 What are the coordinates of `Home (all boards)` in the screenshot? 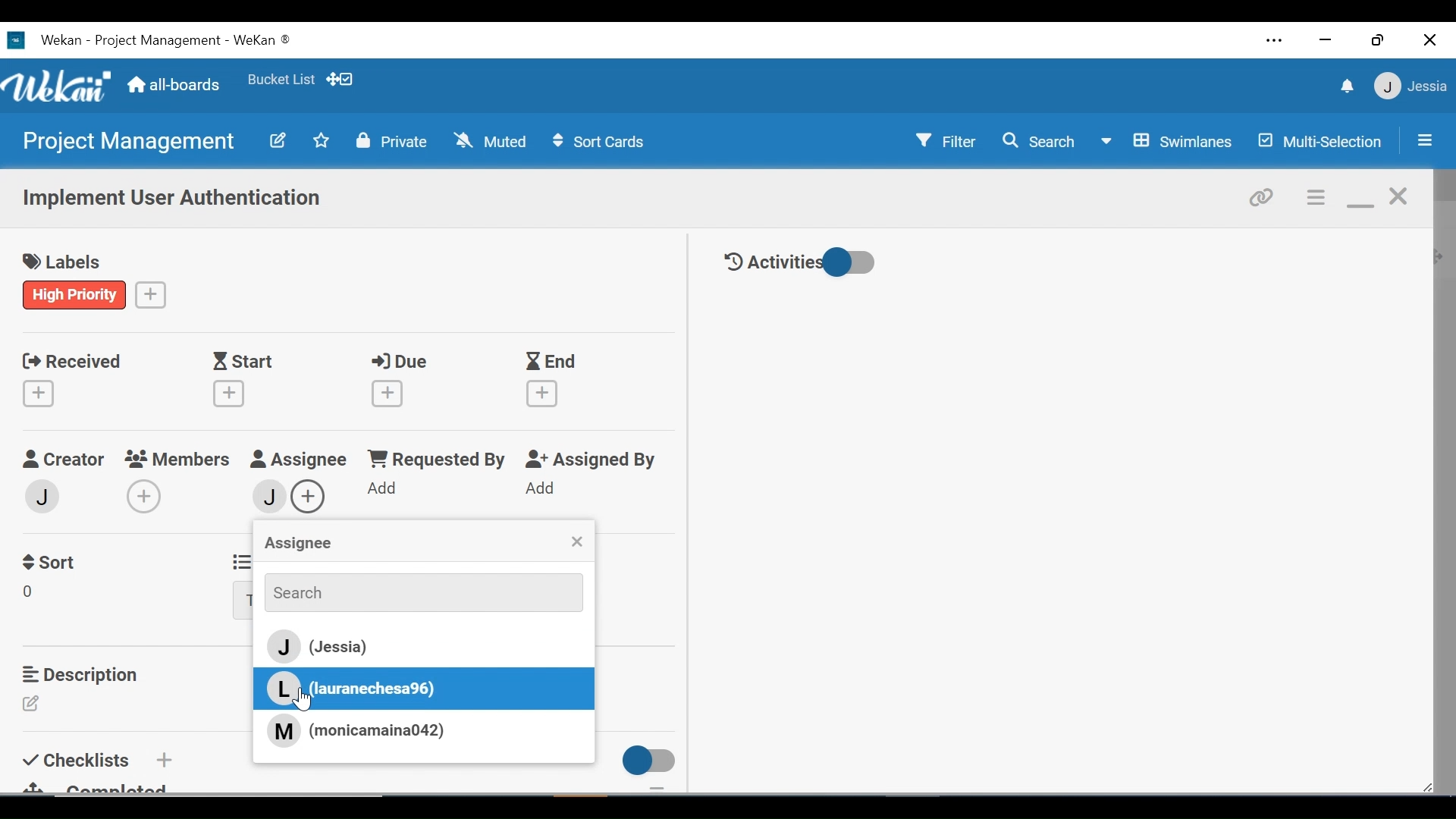 It's located at (174, 86).